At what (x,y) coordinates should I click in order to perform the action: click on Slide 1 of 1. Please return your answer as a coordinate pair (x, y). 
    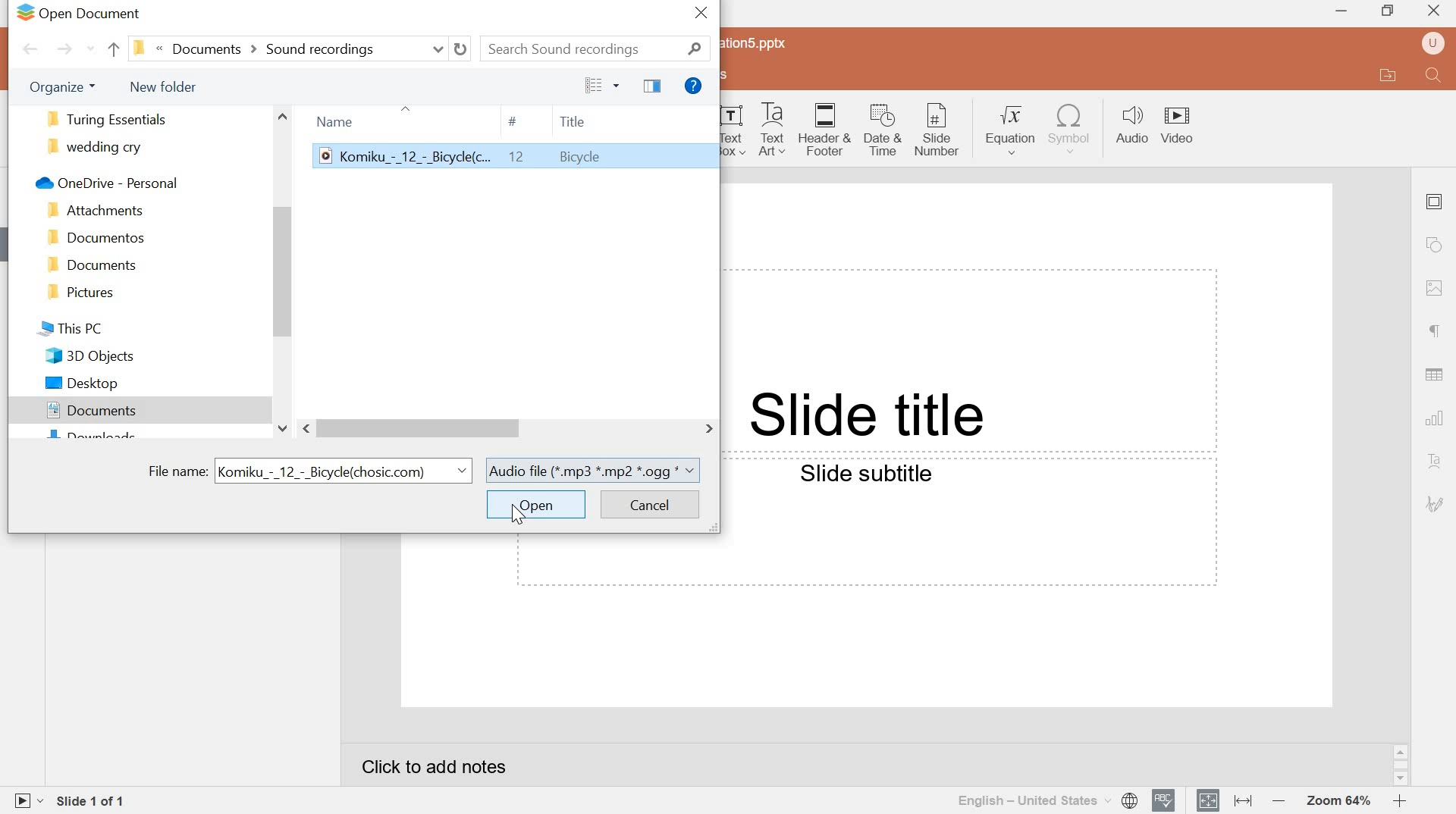
    Looking at the image, I should click on (93, 803).